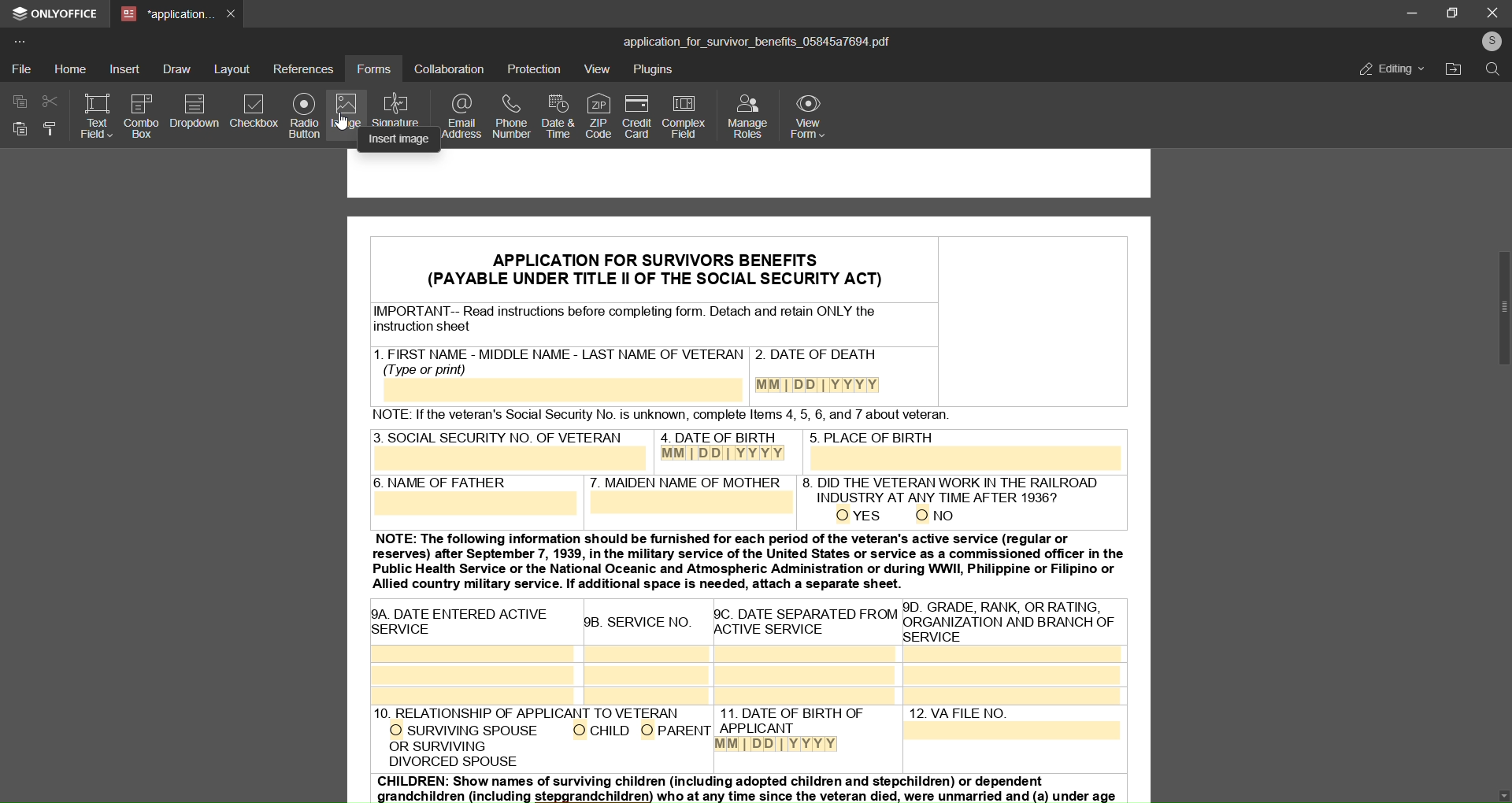 The width and height of the screenshot is (1512, 803). What do you see at coordinates (232, 13) in the screenshot?
I see `close tab` at bounding box center [232, 13].